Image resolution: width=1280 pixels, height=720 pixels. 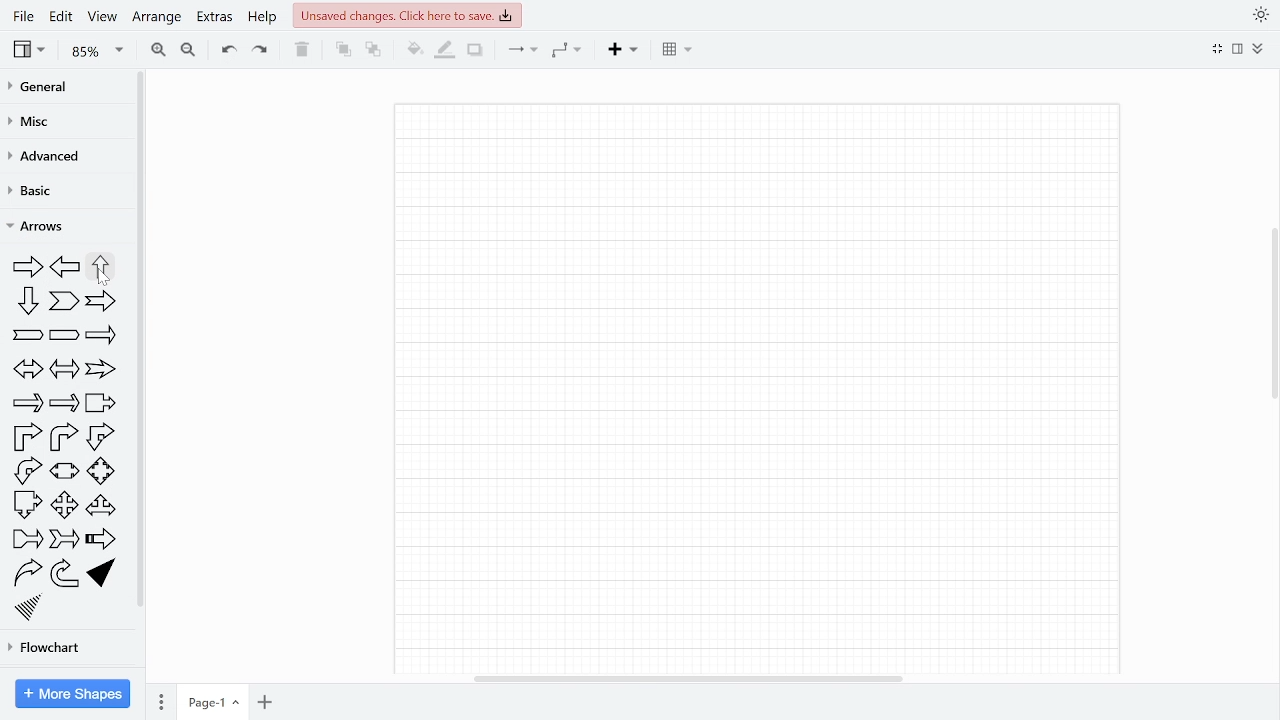 What do you see at coordinates (1272, 320) in the screenshot?
I see `Vertical scrolbar` at bounding box center [1272, 320].